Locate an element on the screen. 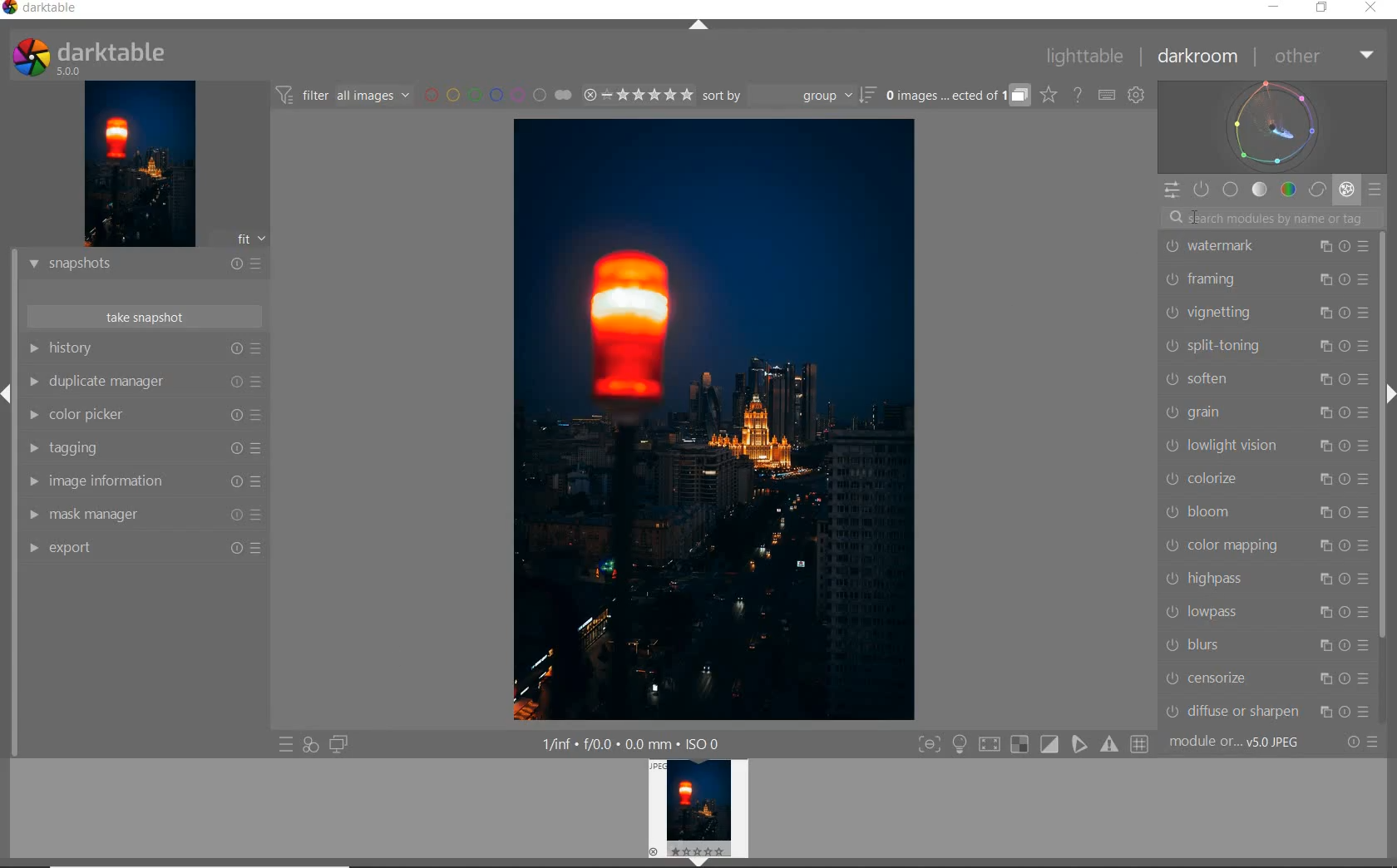  Reset is located at coordinates (1344, 512).